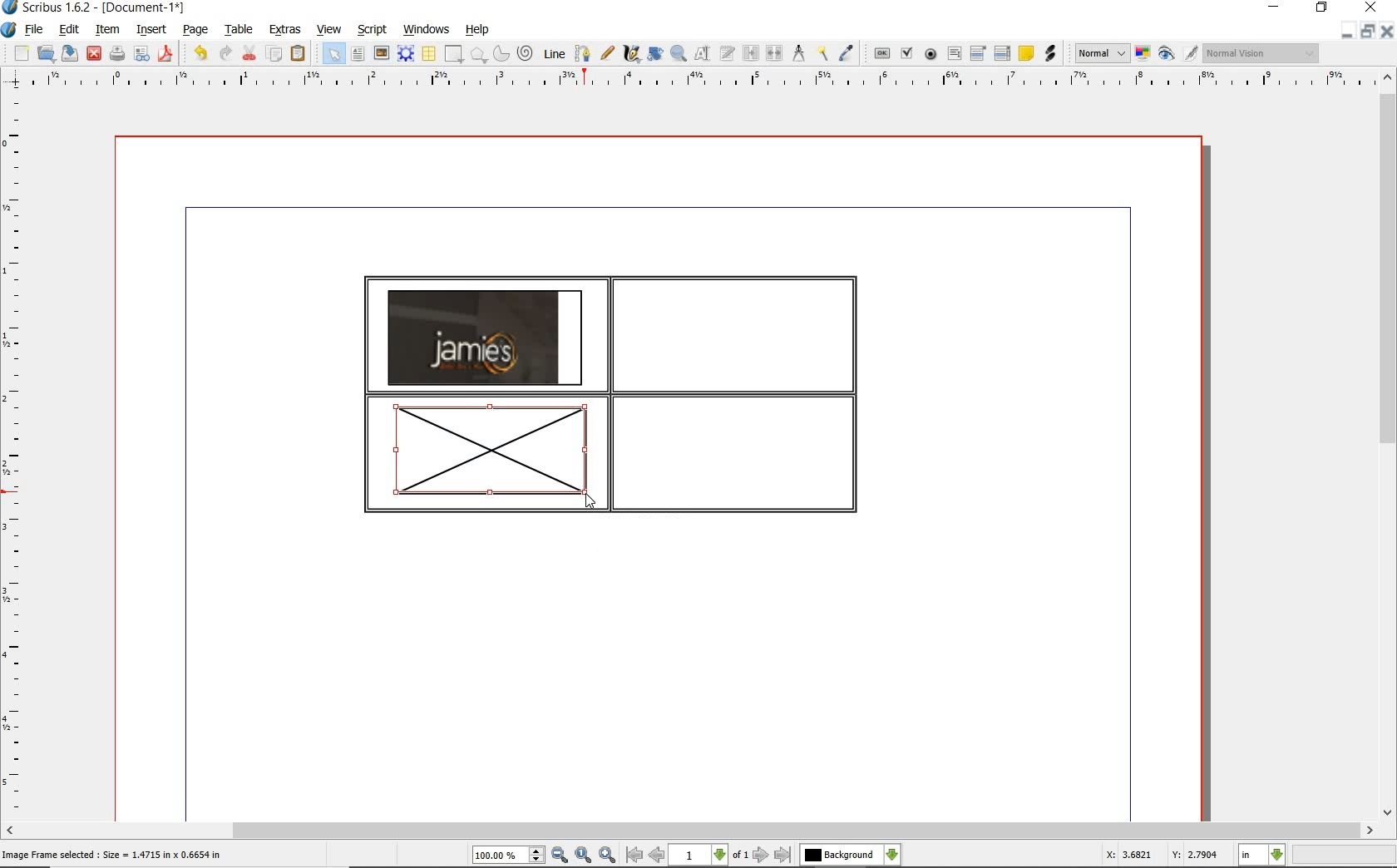 This screenshot has height=868, width=1397. Describe the element at coordinates (526, 54) in the screenshot. I see `spiral` at that location.